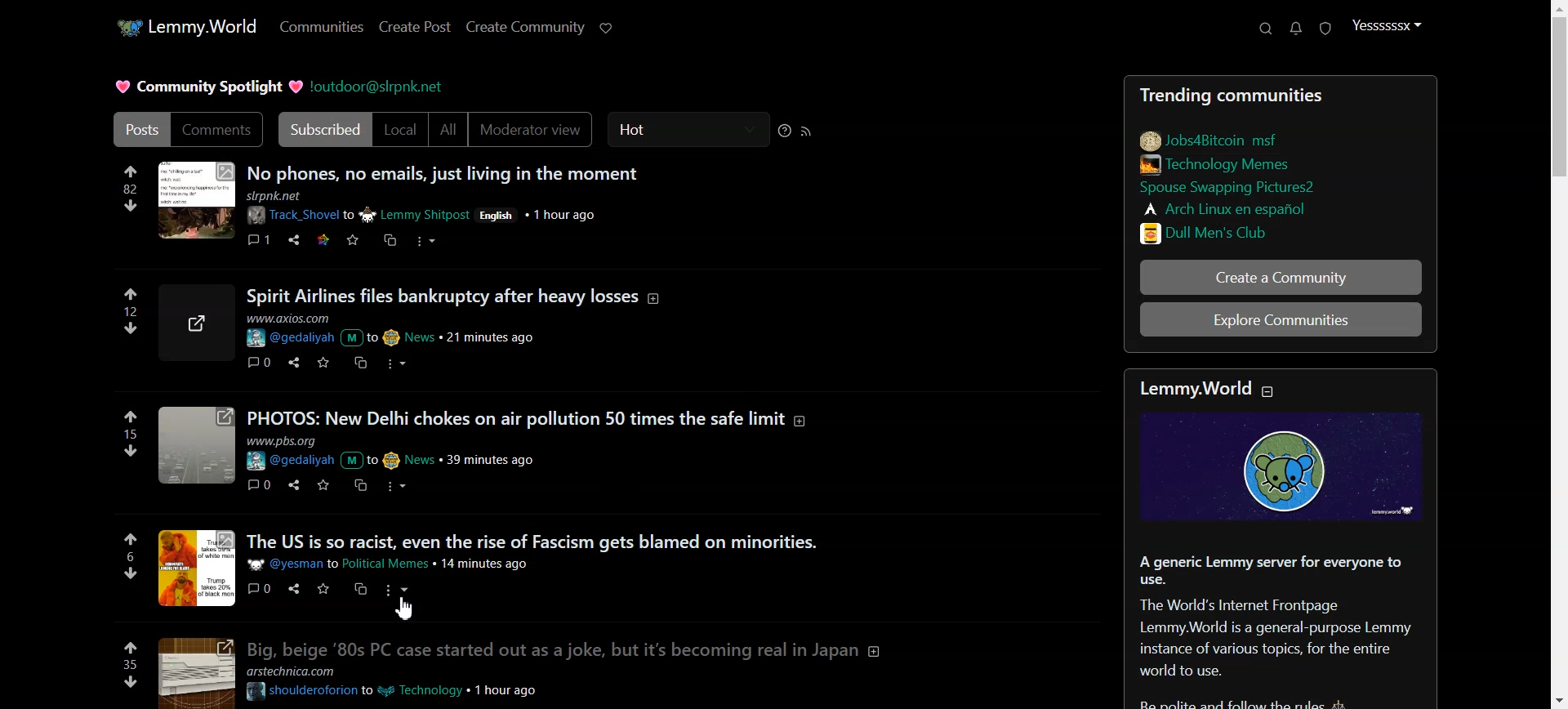  Describe the element at coordinates (131, 417) in the screenshot. I see `upvote` at that location.